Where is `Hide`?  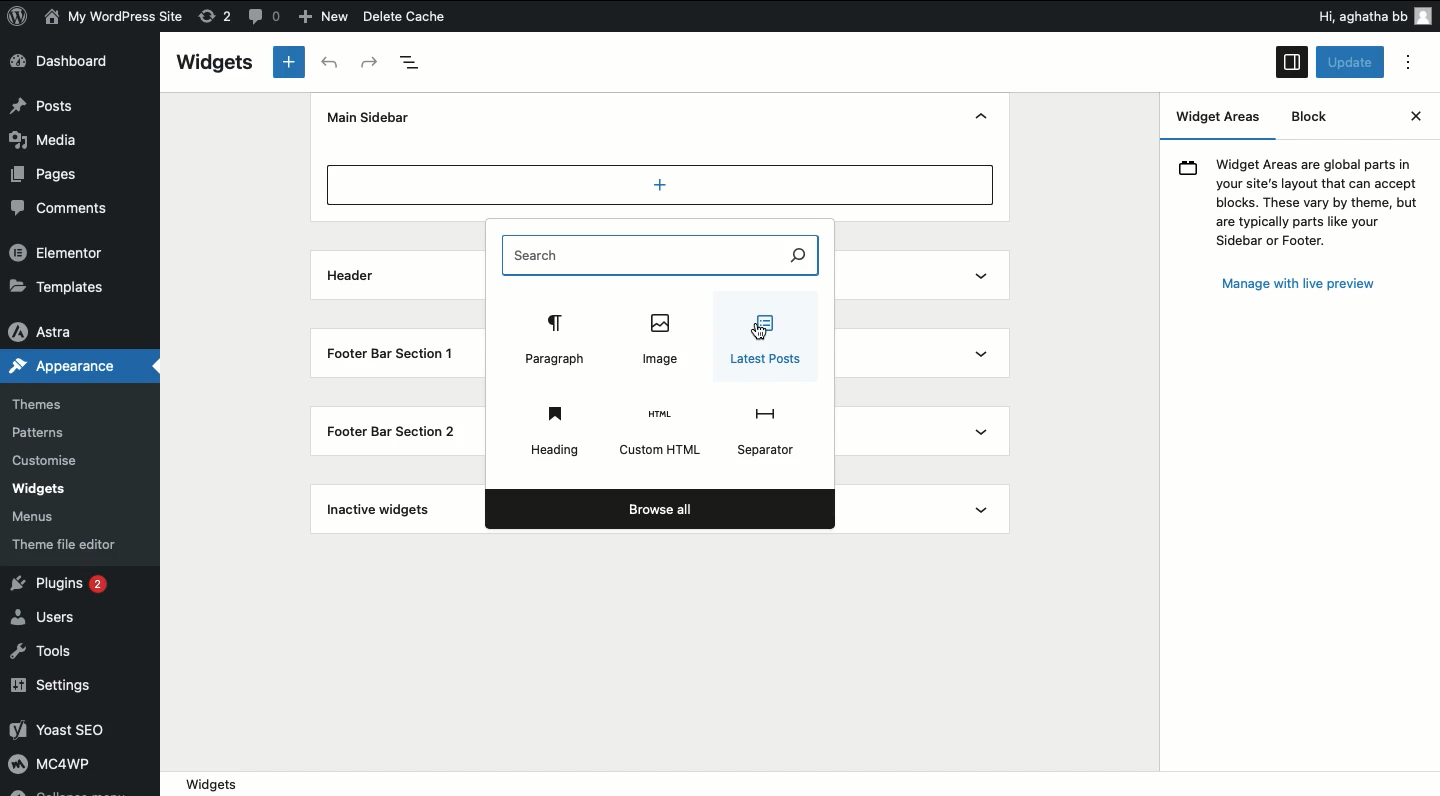
Hide is located at coordinates (981, 116).